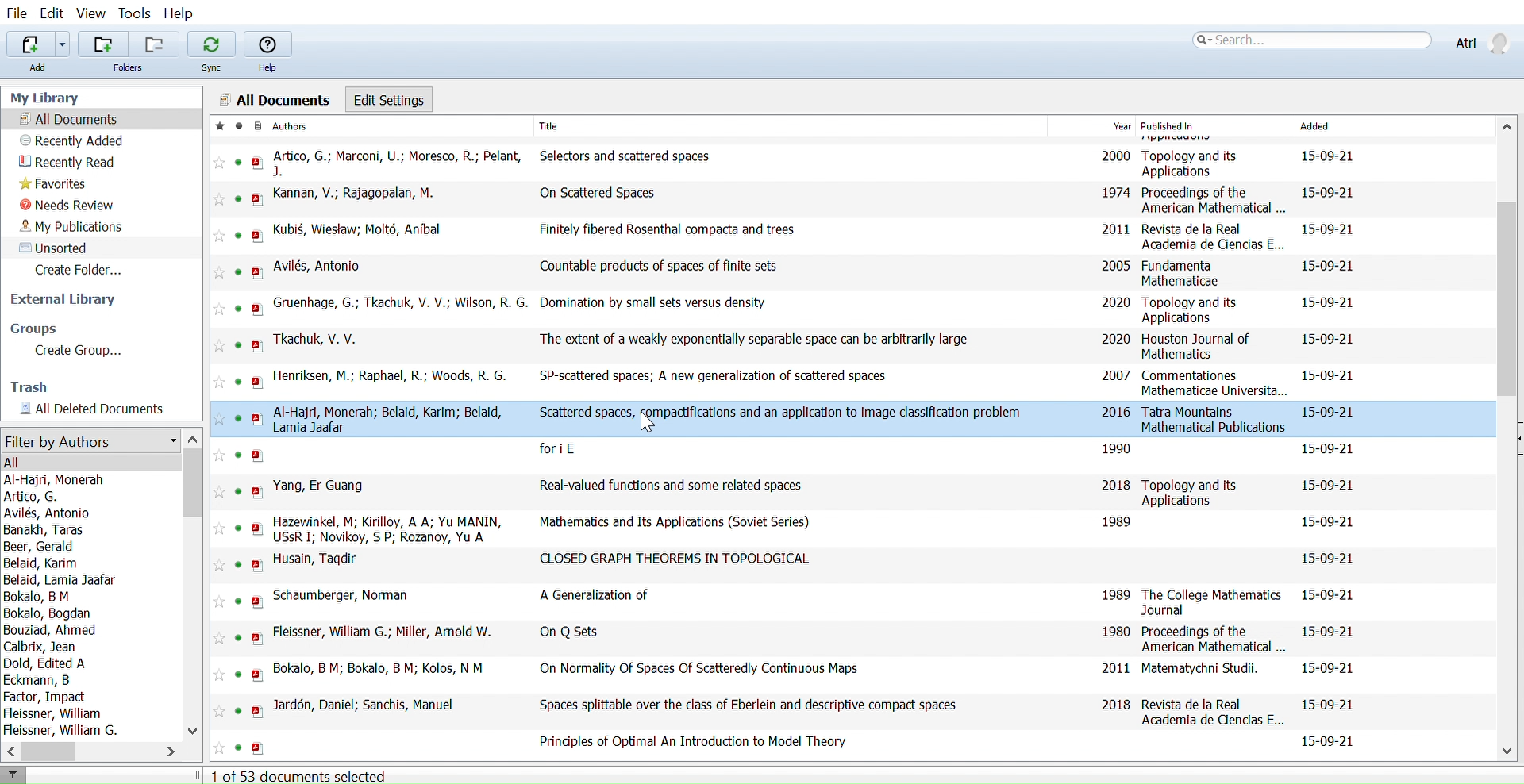 The width and height of the screenshot is (1524, 784). Describe the element at coordinates (1327, 669) in the screenshot. I see `15-09-21` at that location.